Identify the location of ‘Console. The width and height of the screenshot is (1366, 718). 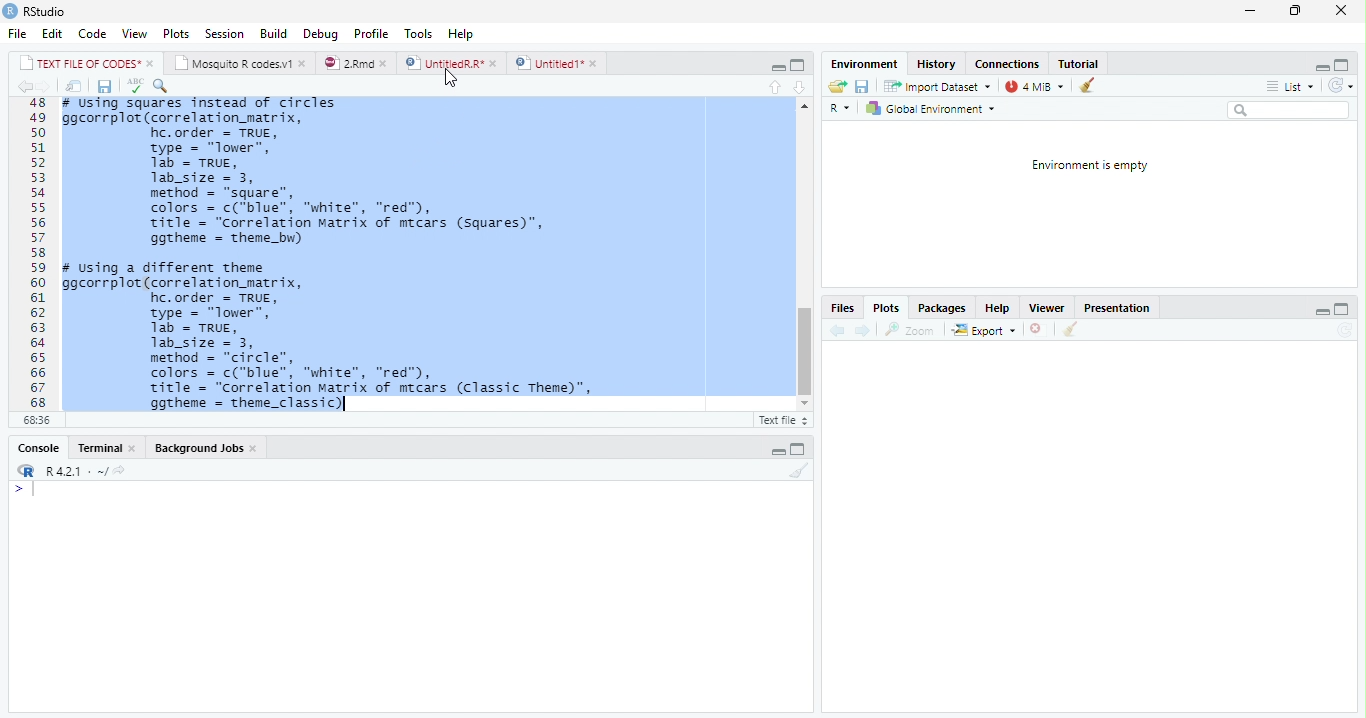
(33, 450).